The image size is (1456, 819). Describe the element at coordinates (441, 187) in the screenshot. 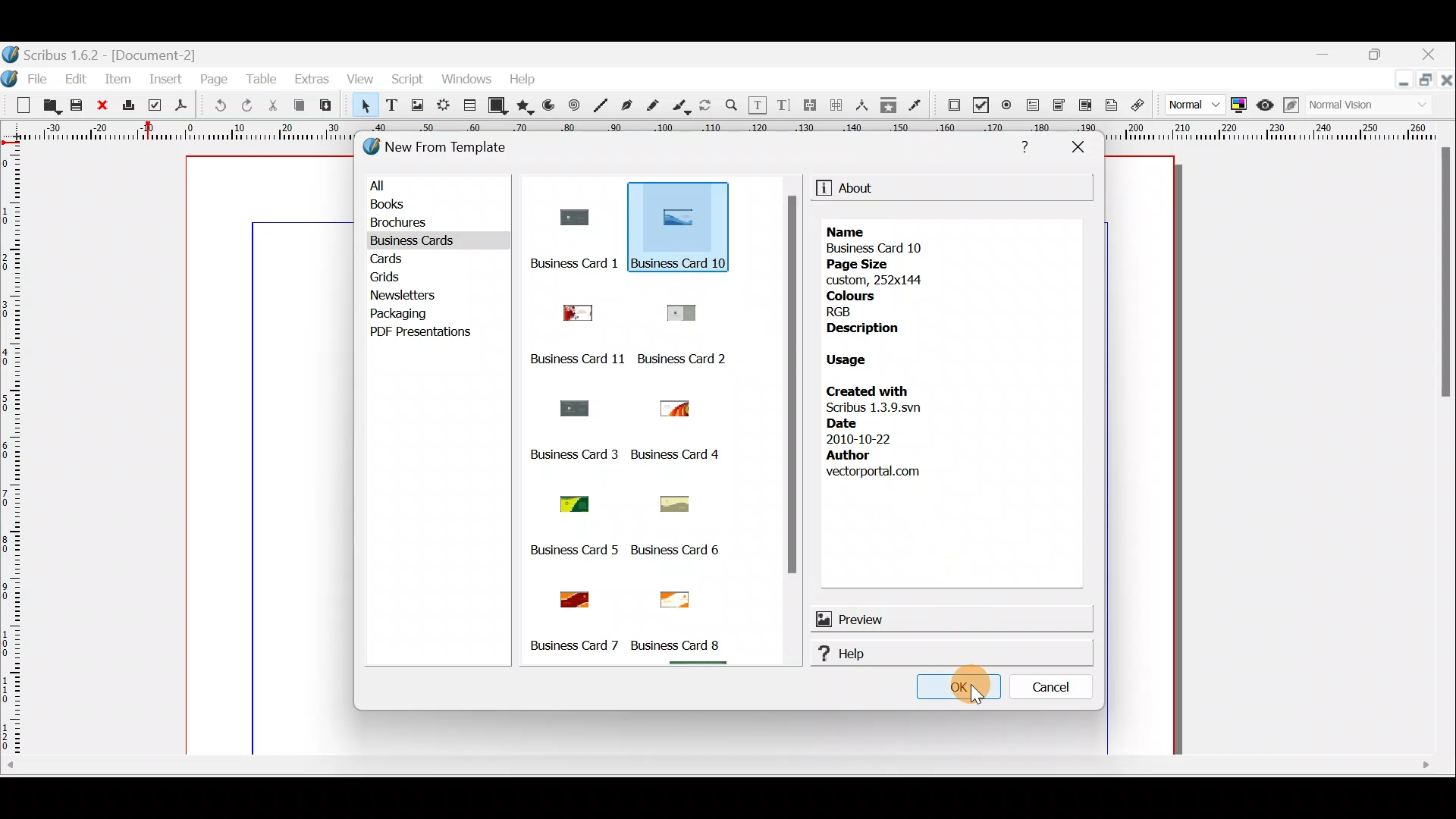

I see `All` at that location.